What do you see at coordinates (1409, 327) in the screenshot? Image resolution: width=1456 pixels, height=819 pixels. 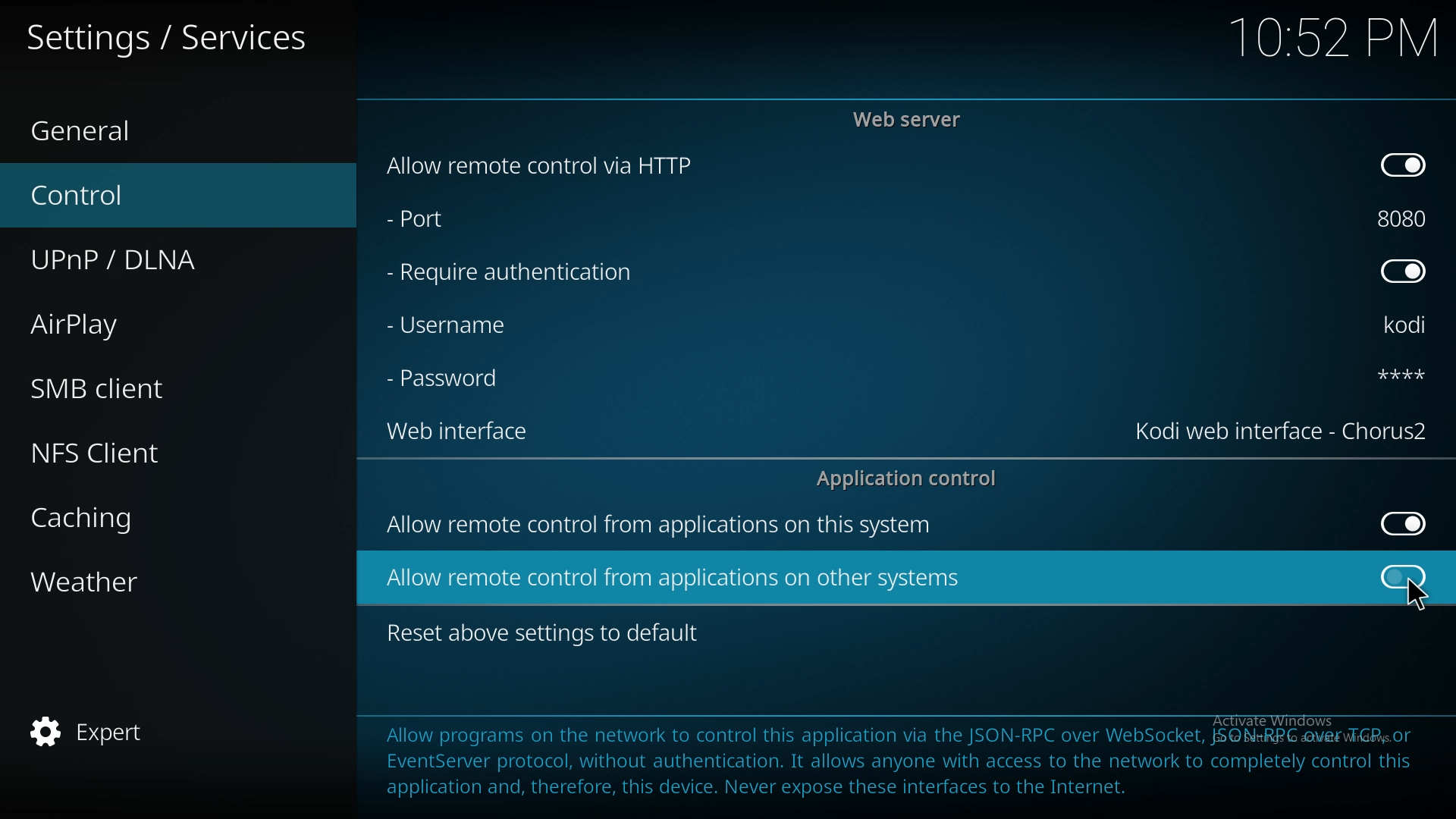 I see `username` at bounding box center [1409, 327].